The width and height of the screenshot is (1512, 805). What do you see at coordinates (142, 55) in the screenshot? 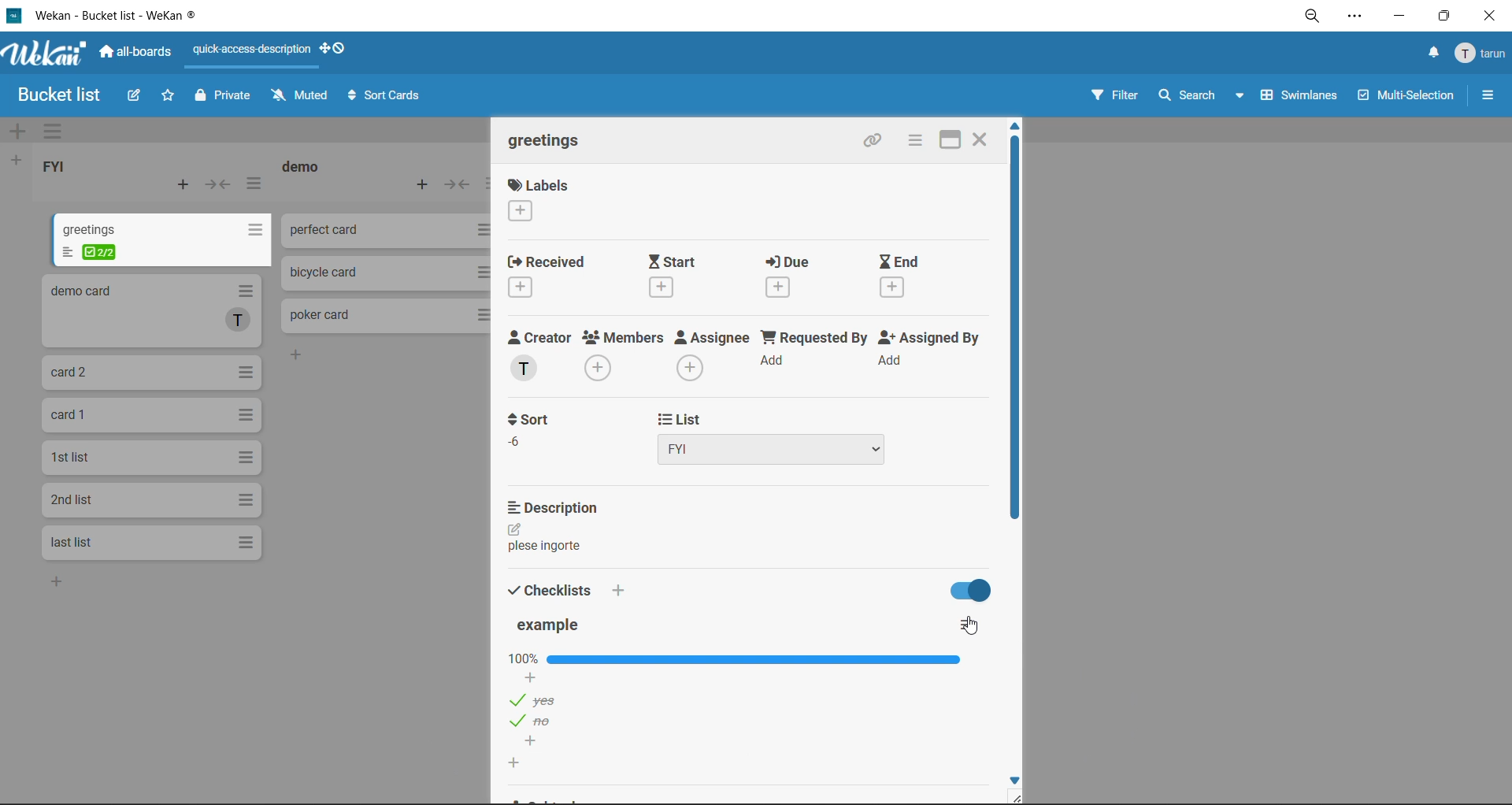
I see `all boards` at bounding box center [142, 55].